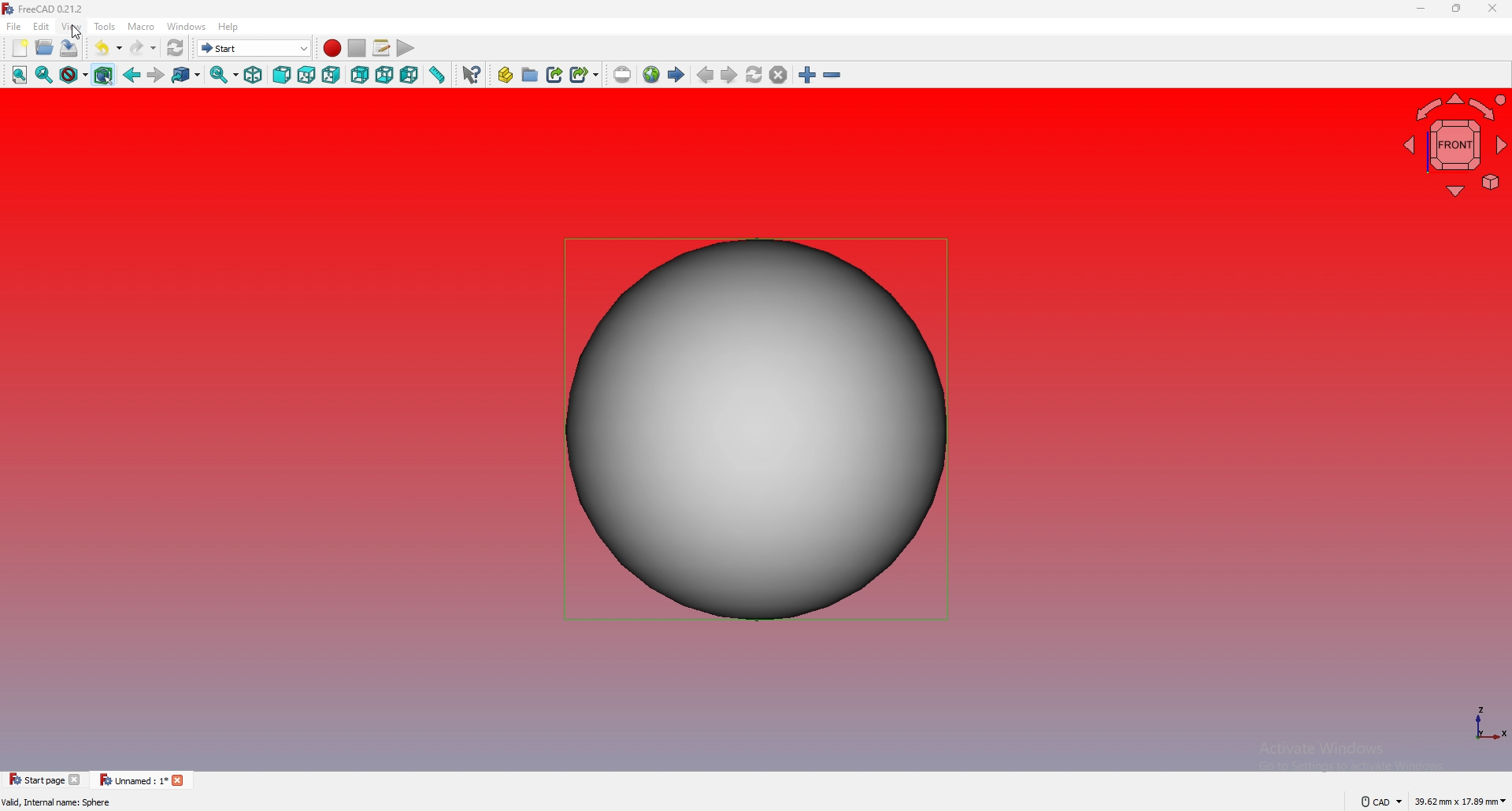  I want to click on next page, so click(729, 74).